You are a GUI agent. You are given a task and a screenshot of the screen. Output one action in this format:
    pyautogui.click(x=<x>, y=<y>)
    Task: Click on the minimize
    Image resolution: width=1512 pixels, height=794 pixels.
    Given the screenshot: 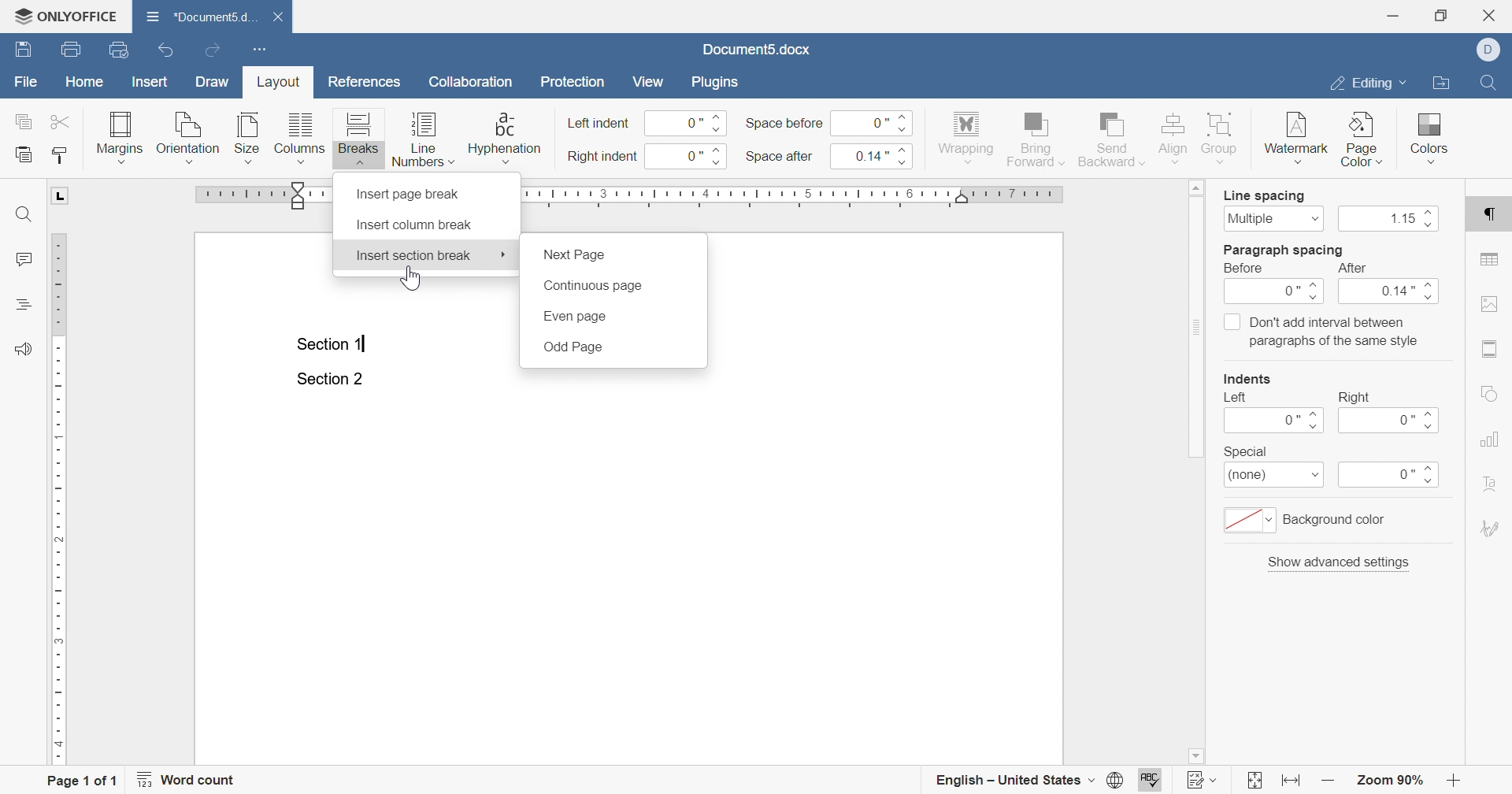 What is the action you would take?
    pyautogui.click(x=1396, y=15)
    